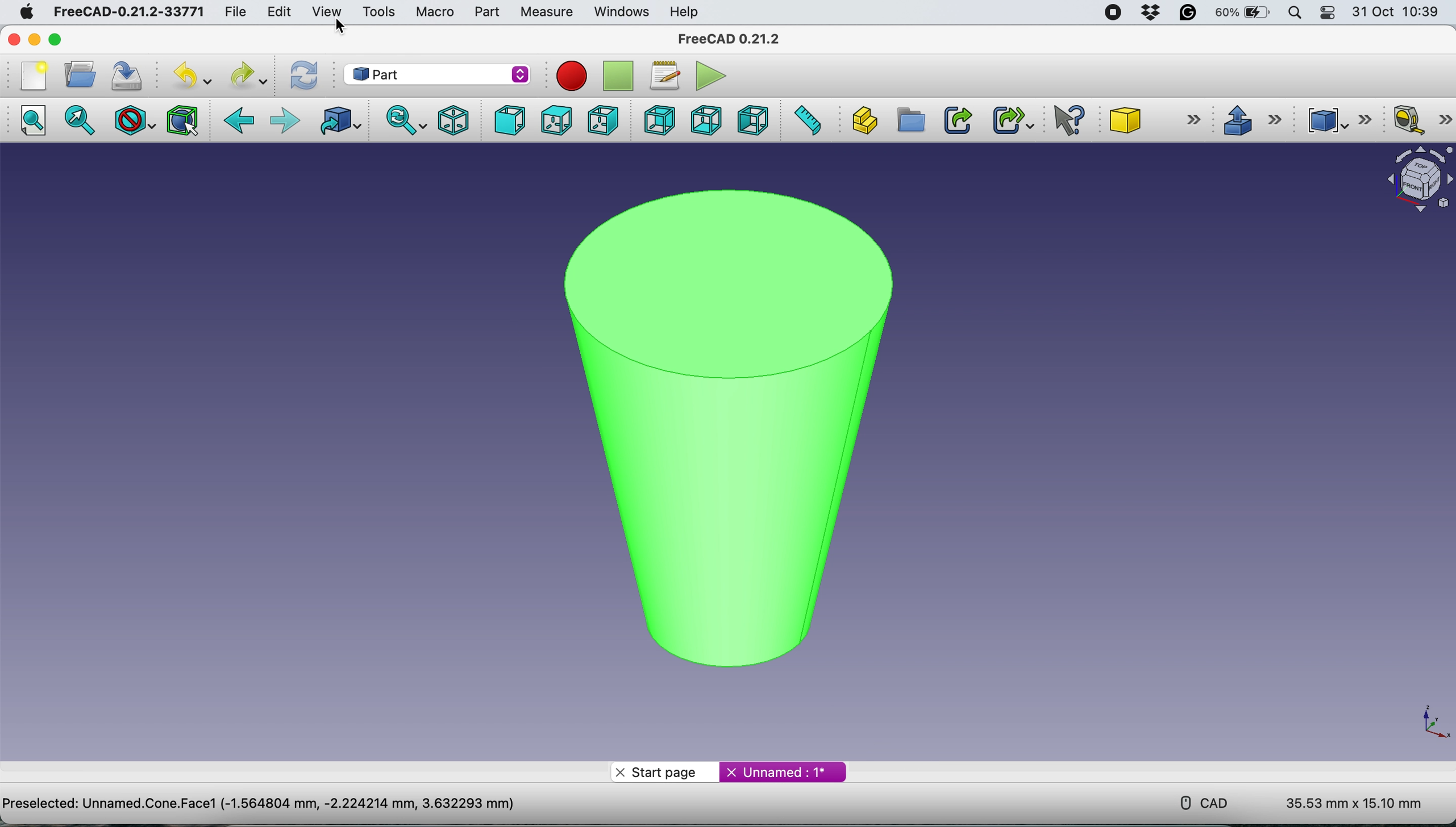  What do you see at coordinates (755, 120) in the screenshot?
I see `left` at bounding box center [755, 120].